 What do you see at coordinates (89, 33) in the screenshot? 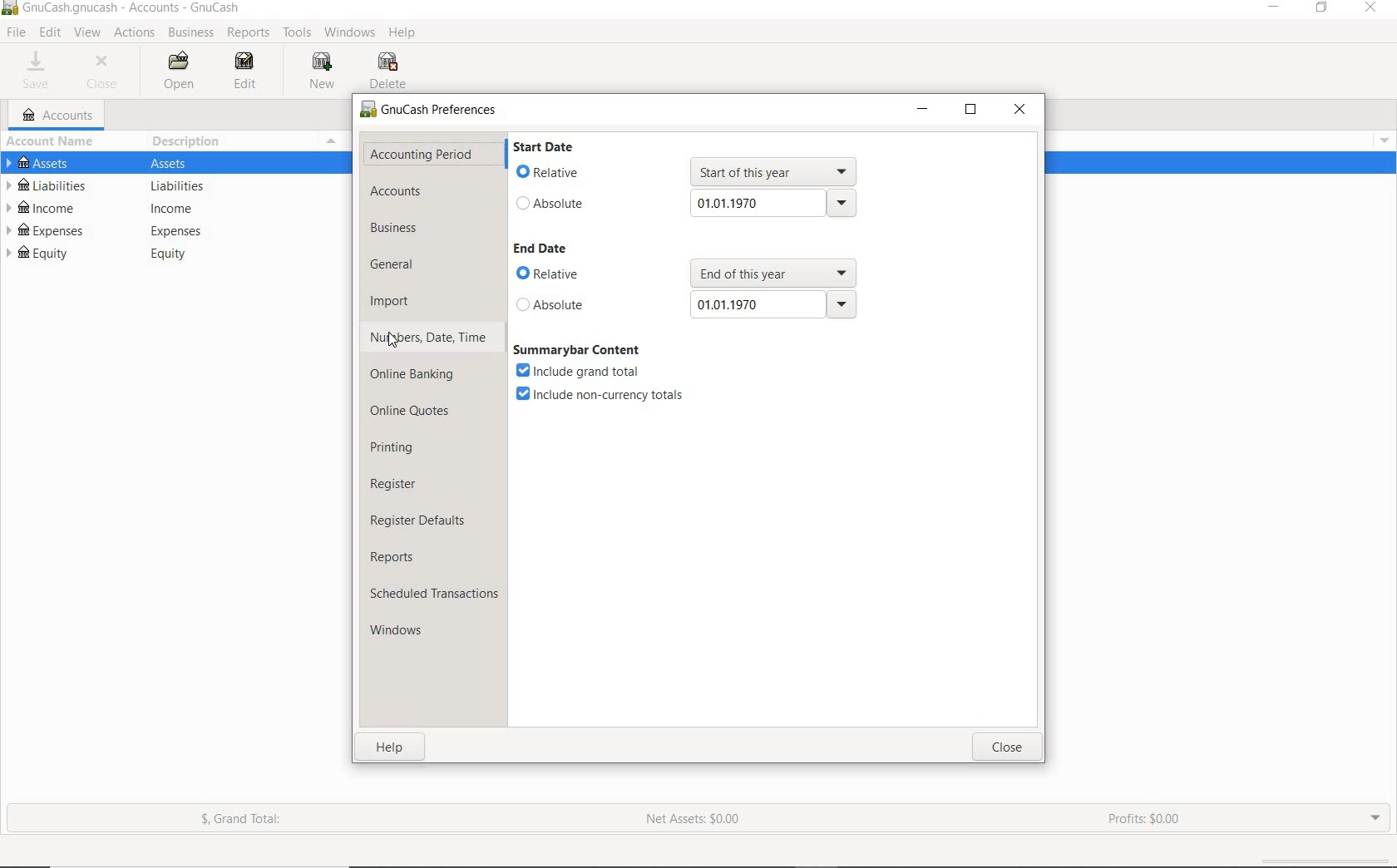
I see `VIEW` at bounding box center [89, 33].